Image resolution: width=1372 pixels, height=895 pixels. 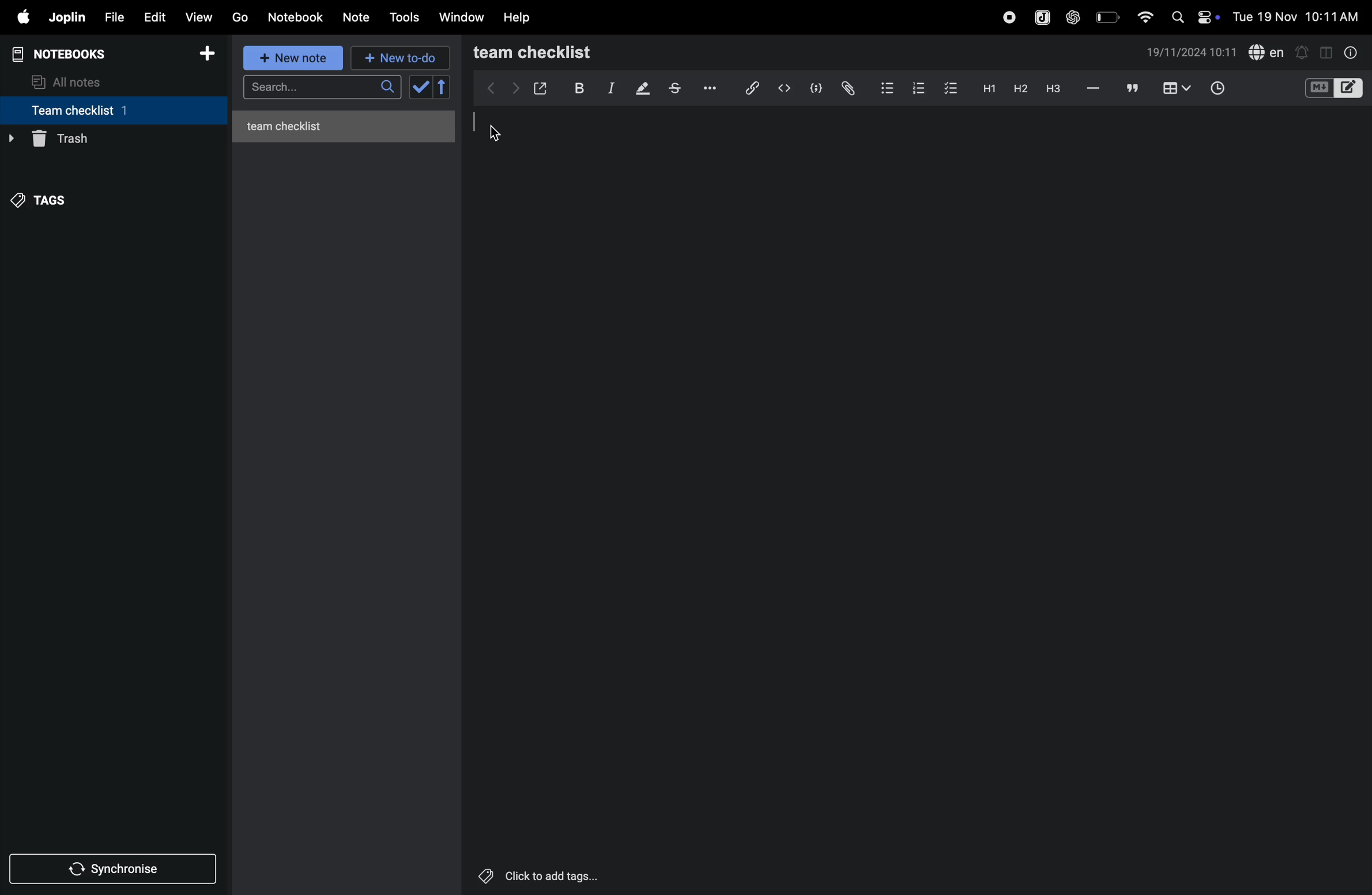 I want to click on date and time, so click(x=1192, y=54).